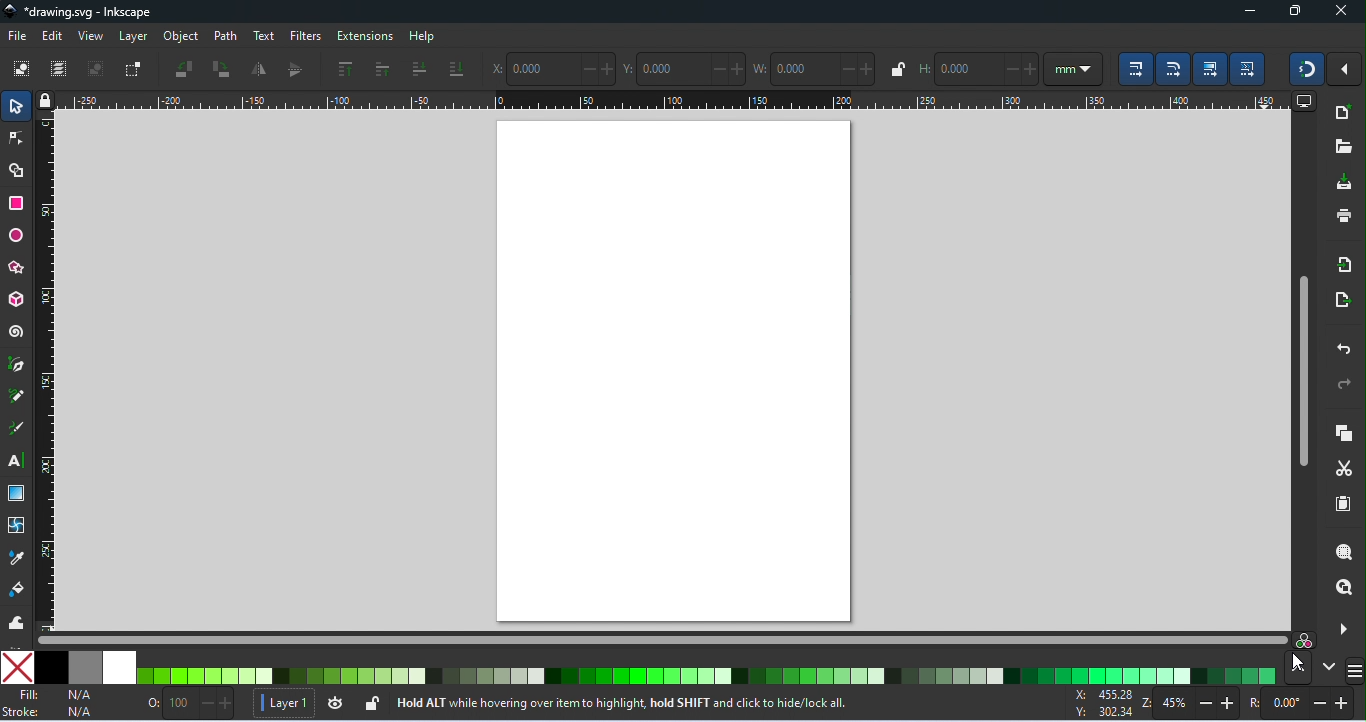  What do you see at coordinates (1346, 180) in the screenshot?
I see `save` at bounding box center [1346, 180].